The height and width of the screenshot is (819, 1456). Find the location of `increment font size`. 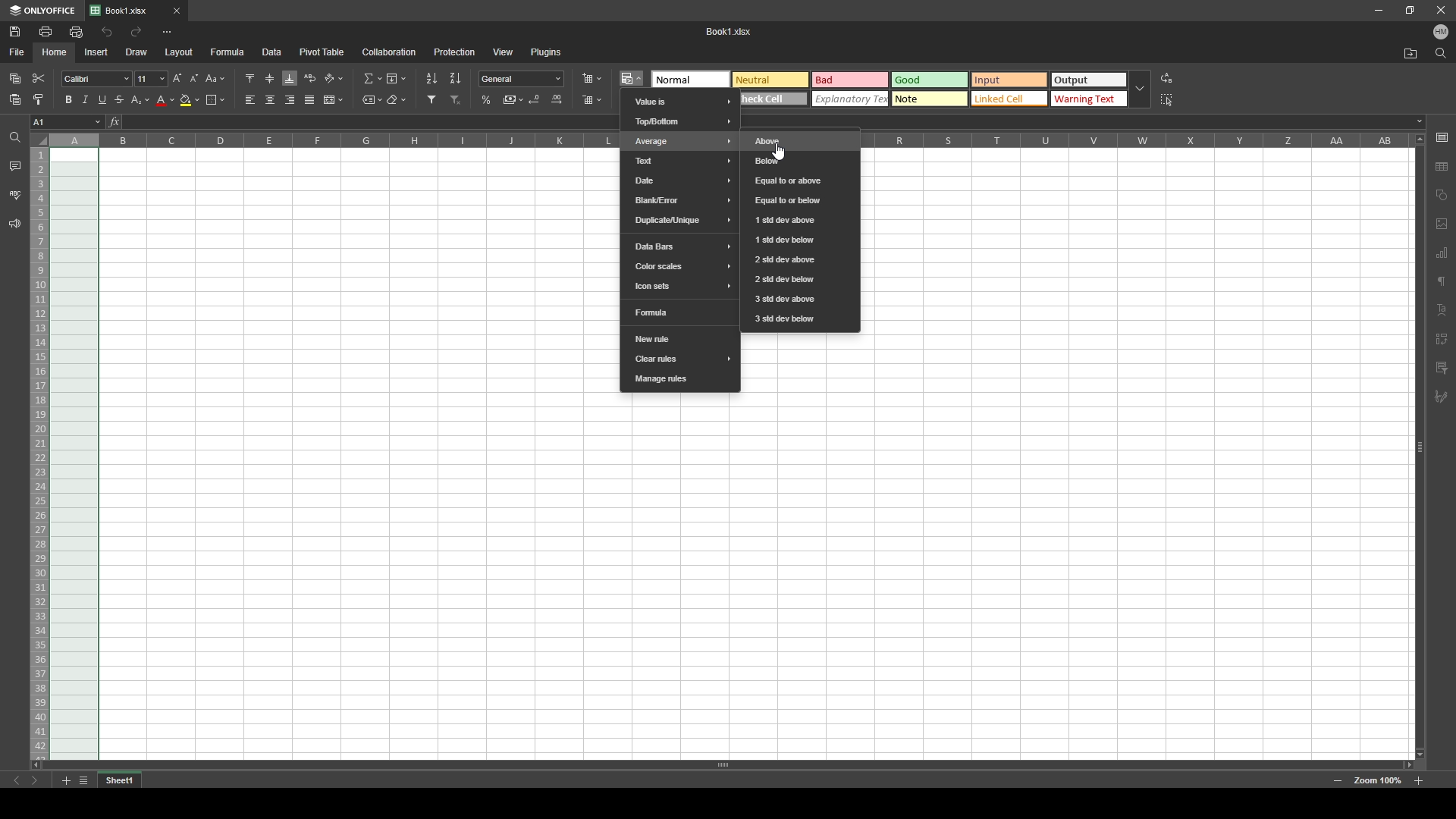

increment font size is located at coordinates (176, 78).